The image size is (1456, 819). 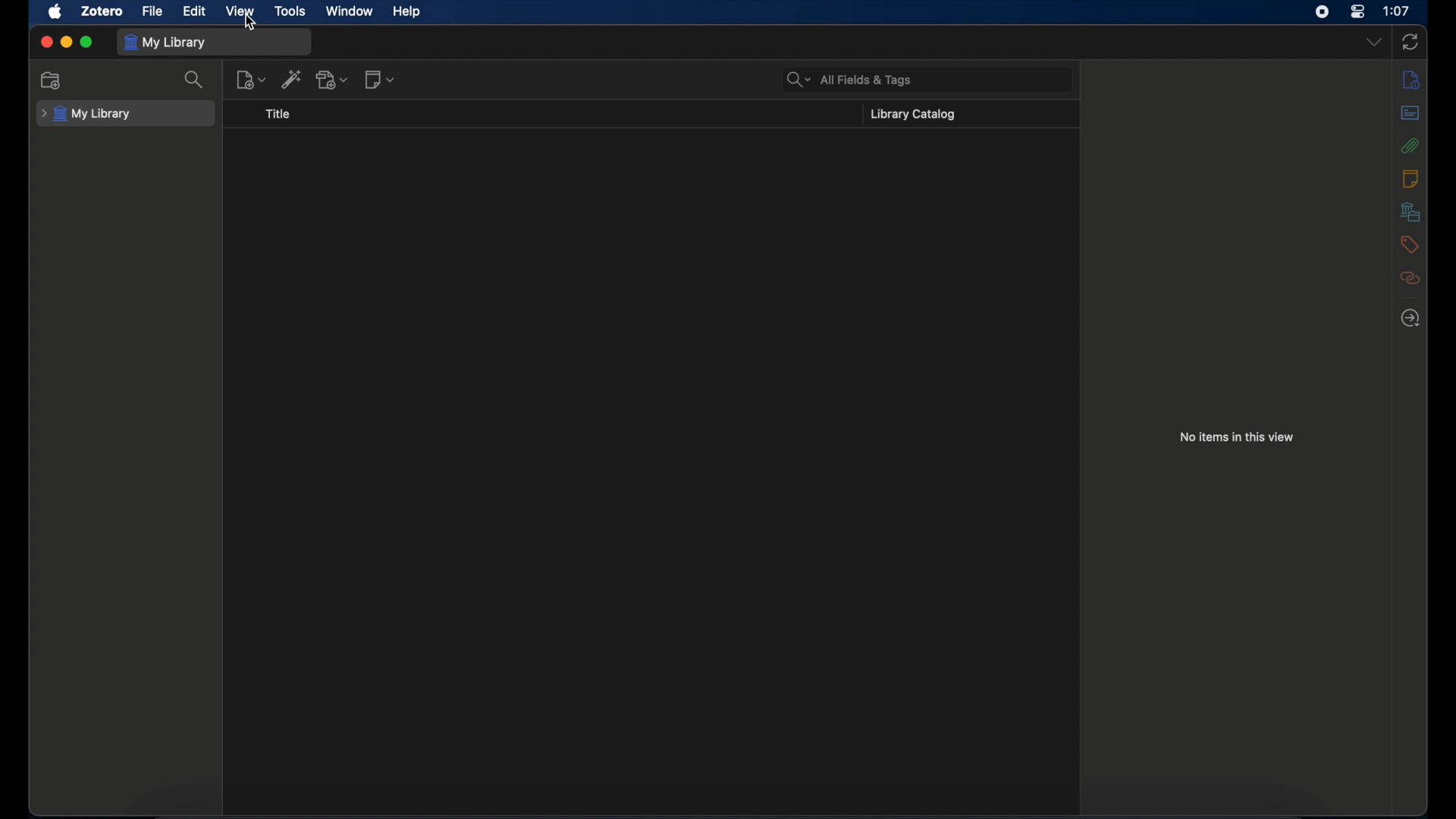 I want to click on new collection, so click(x=50, y=80).